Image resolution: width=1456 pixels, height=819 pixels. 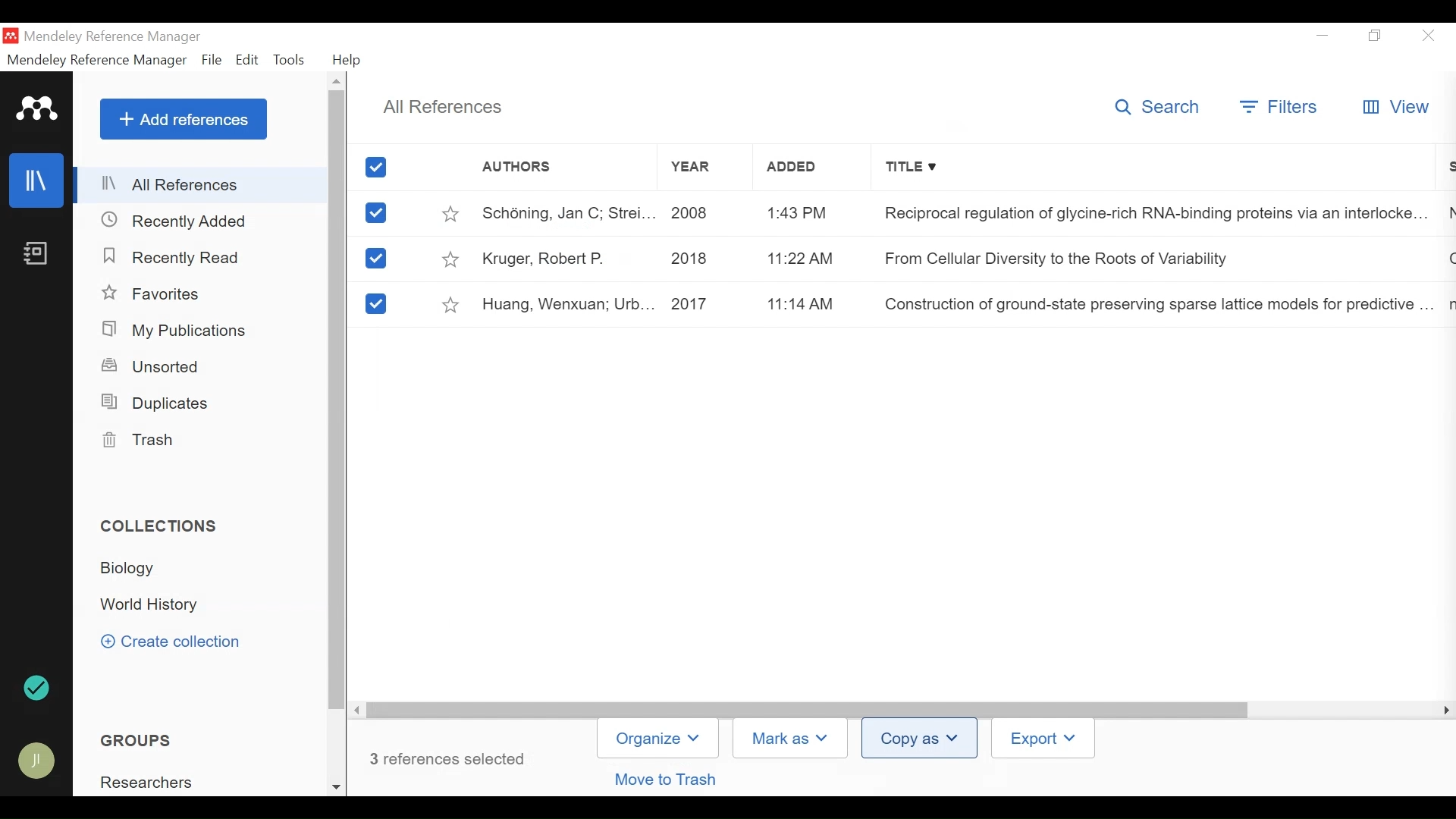 What do you see at coordinates (358, 710) in the screenshot?
I see `Scroll Right` at bounding box center [358, 710].